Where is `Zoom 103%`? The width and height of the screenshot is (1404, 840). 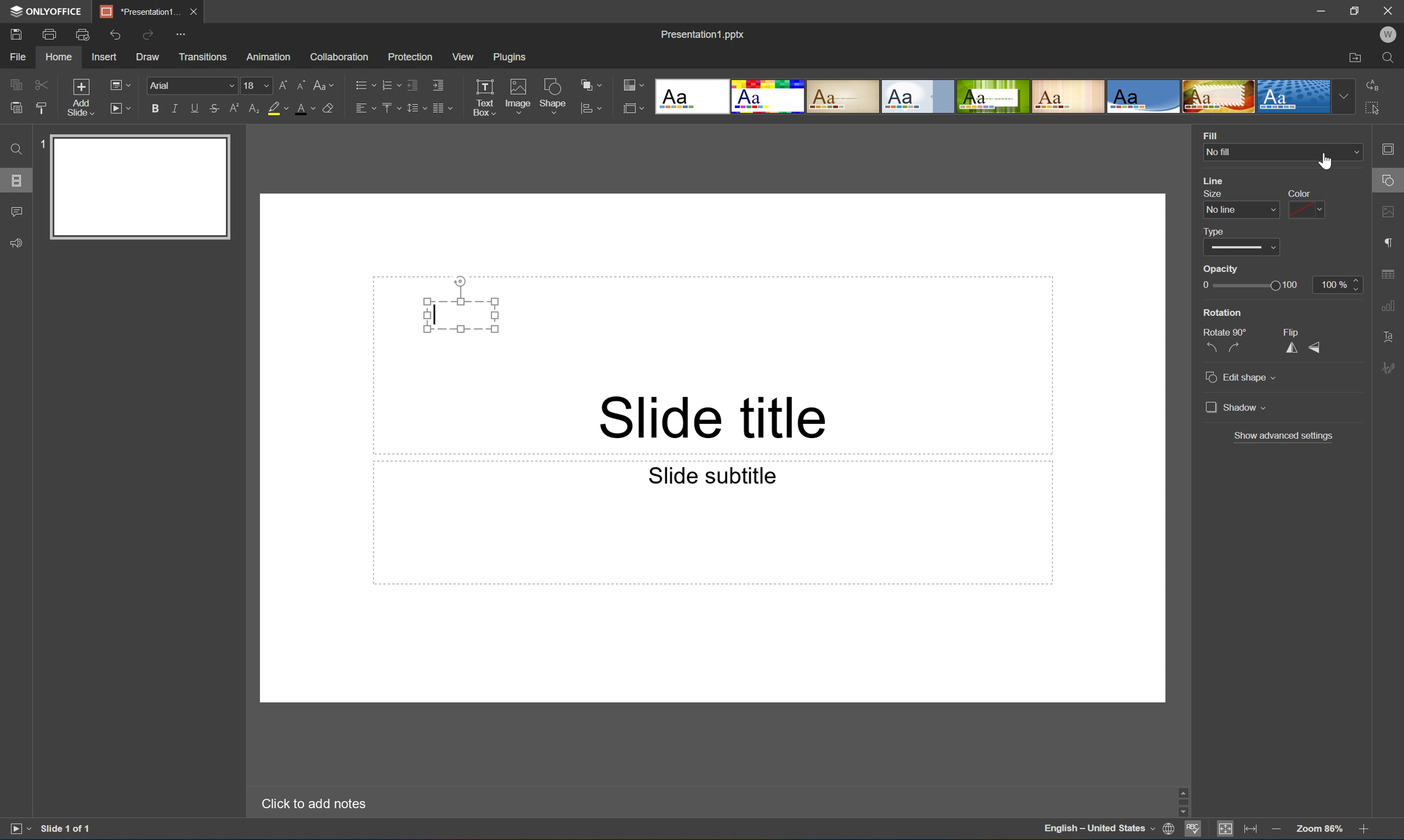
Zoom 103% is located at coordinates (1321, 830).